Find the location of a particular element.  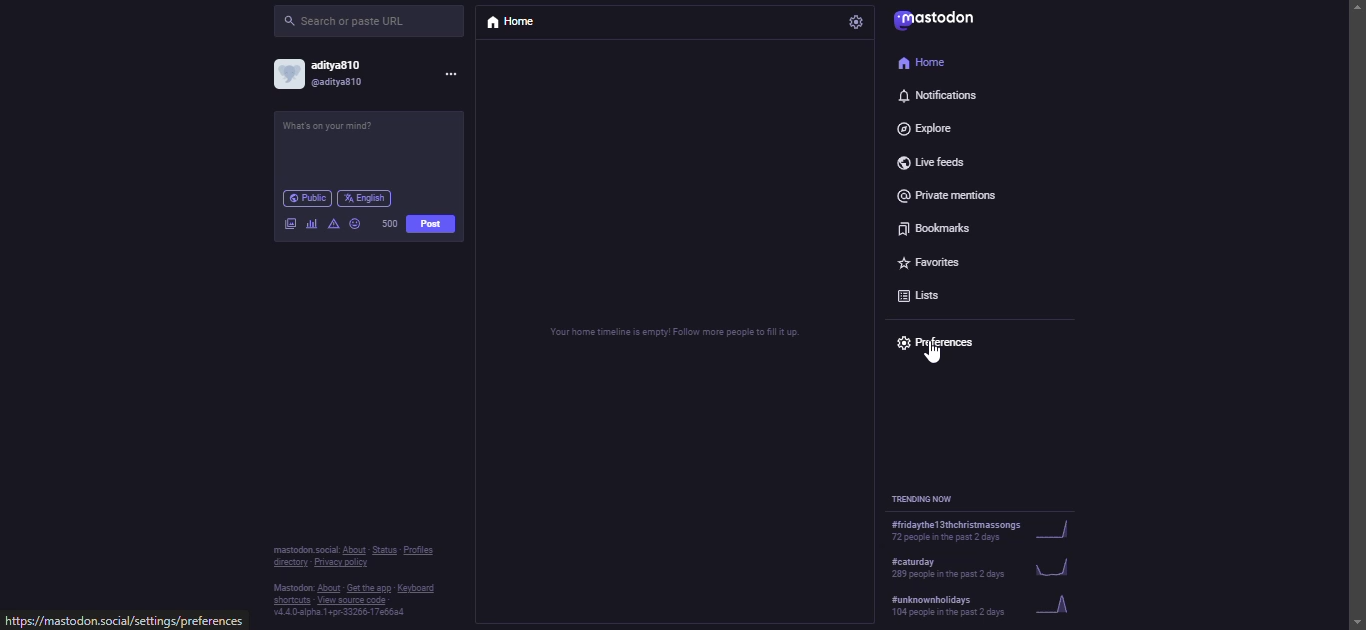

lists is located at coordinates (918, 292).